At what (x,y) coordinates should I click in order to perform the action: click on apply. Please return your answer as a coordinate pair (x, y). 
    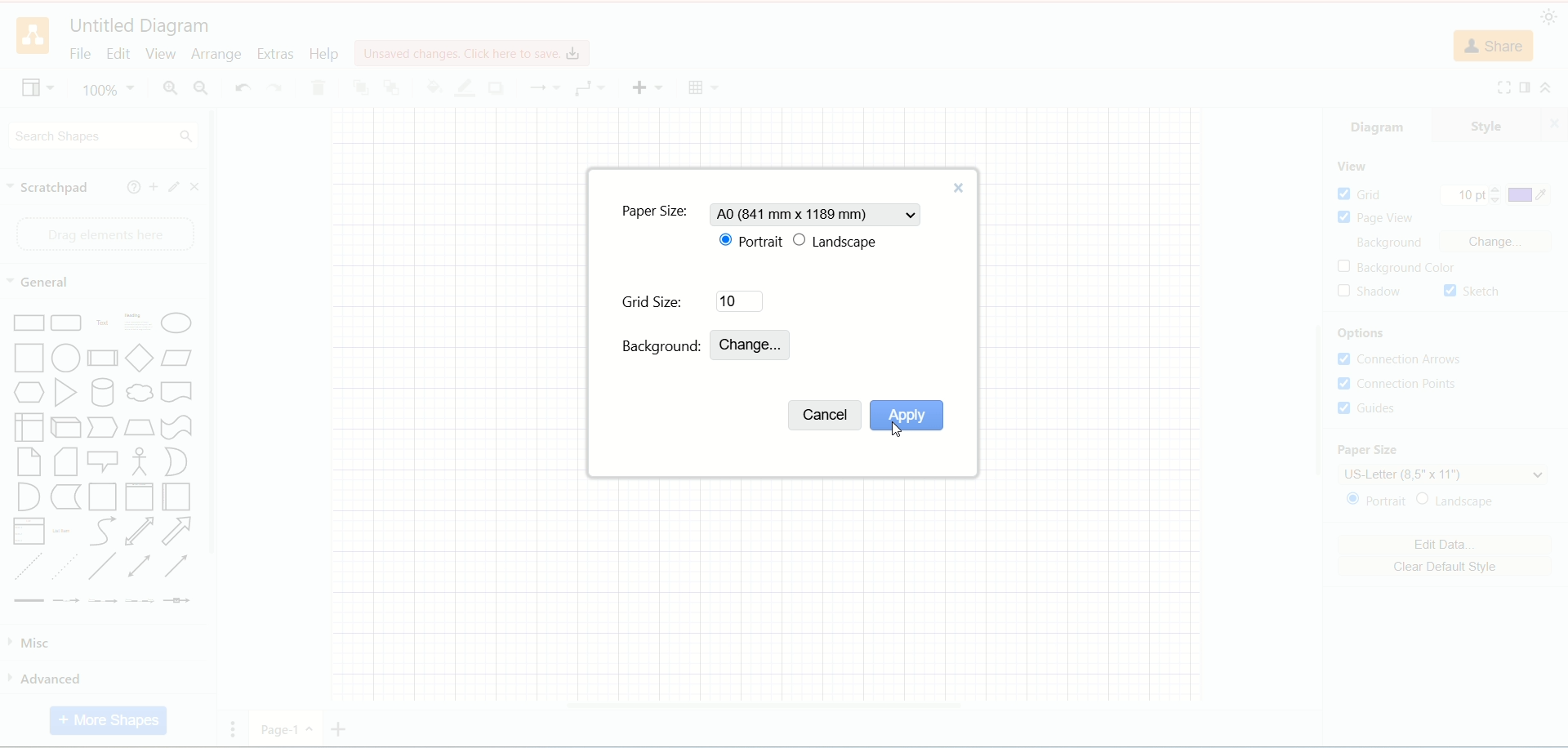
    Looking at the image, I should click on (908, 416).